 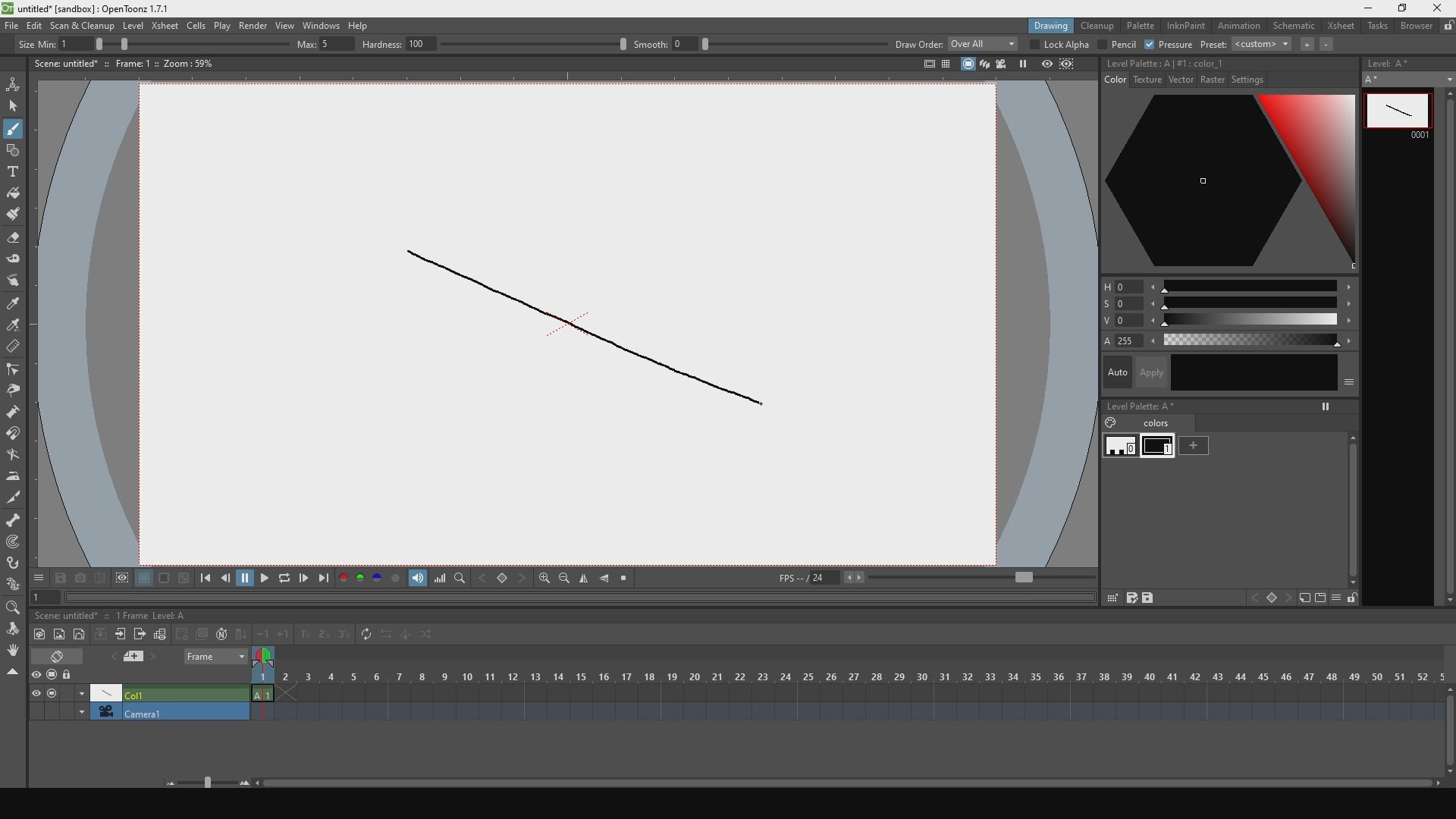 What do you see at coordinates (15, 391) in the screenshot?
I see `pinch` at bounding box center [15, 391].